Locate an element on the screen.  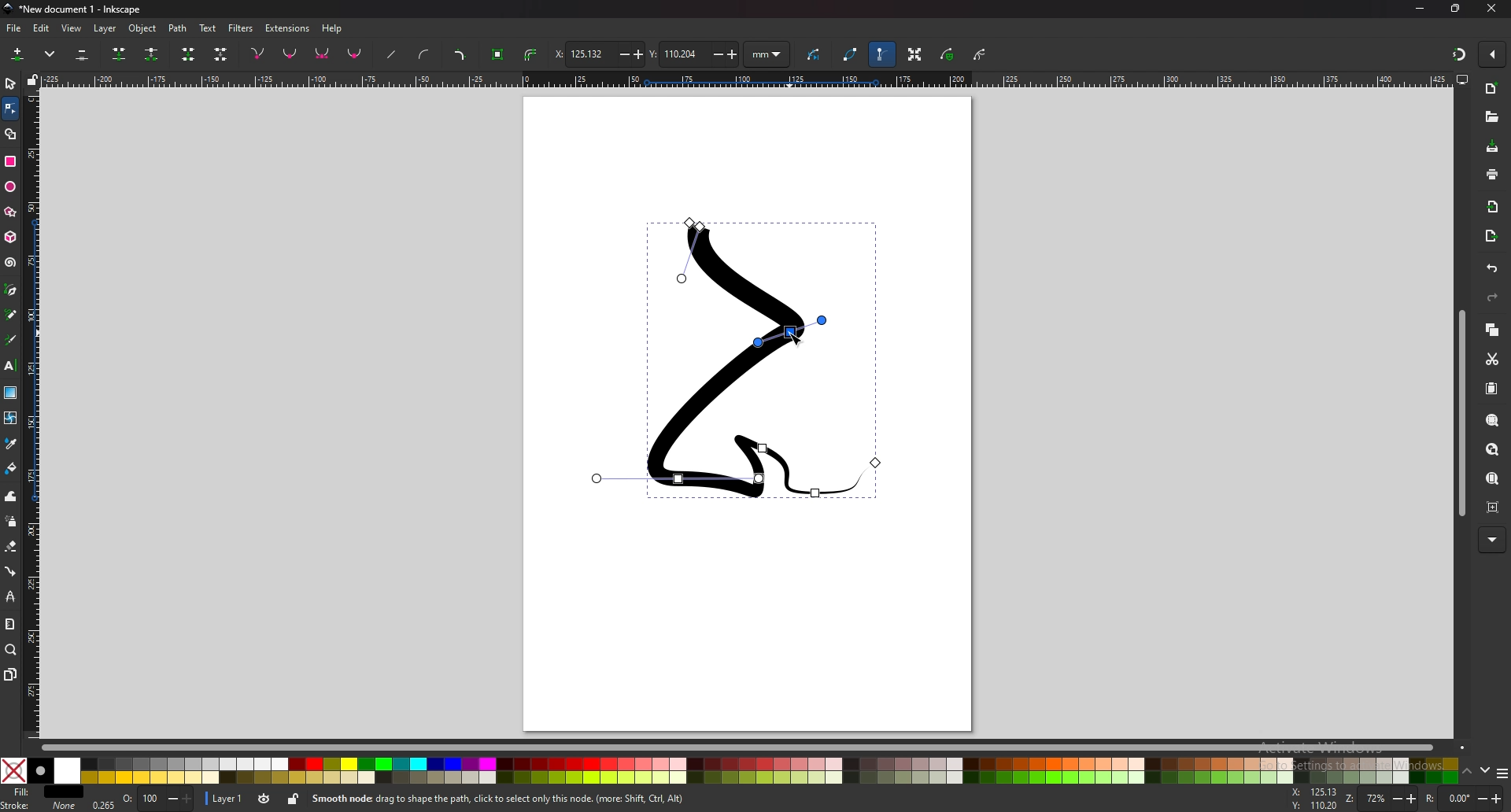
show bezier handle is located at coordinates (881, 54).